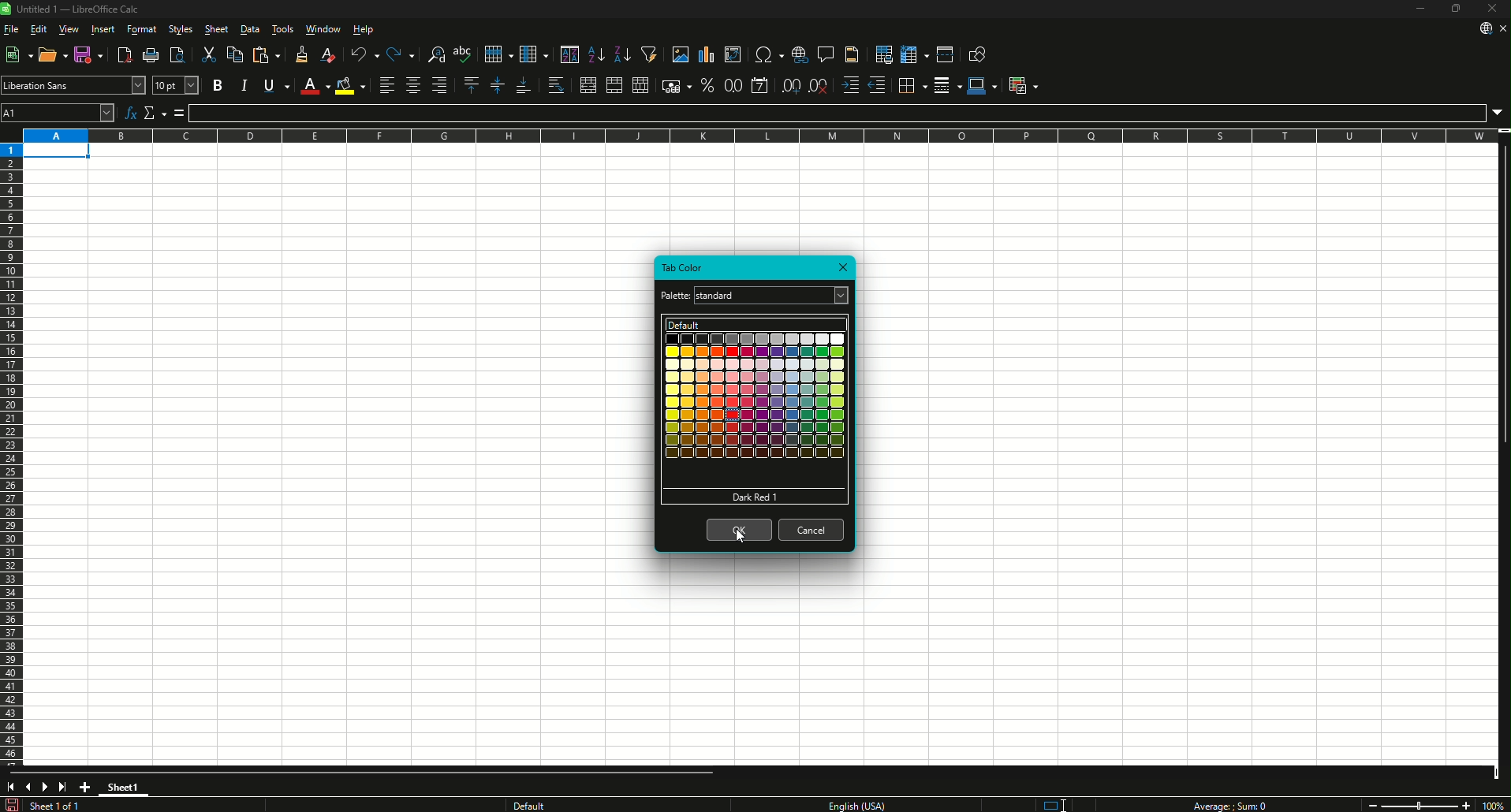 This screenshot has height=812, width=1511. What do you see at coordinates (878, 85) in the screenshot?
I see `Decrease Indent` at bounding box center [878, 85].